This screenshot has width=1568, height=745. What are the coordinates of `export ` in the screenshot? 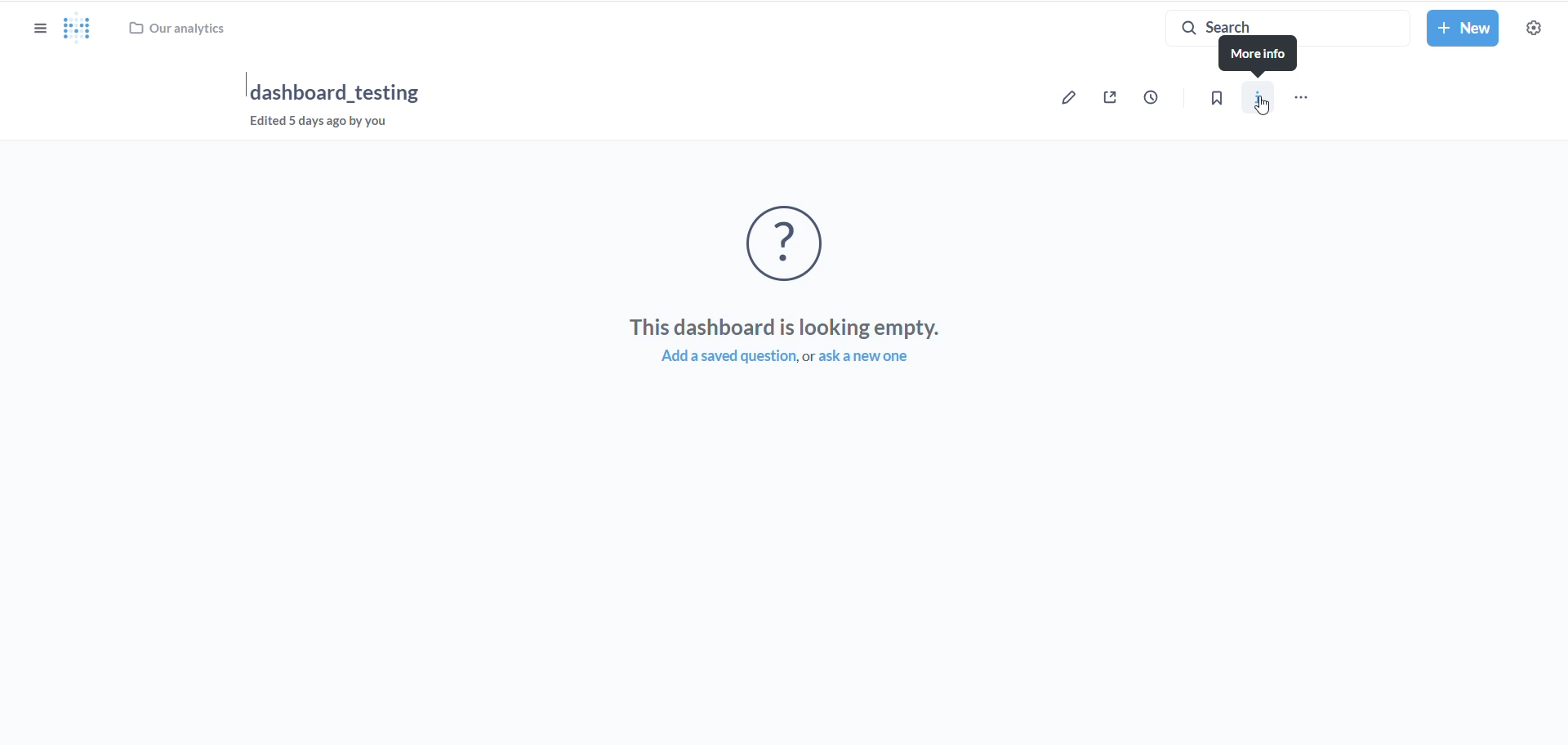 It's located at (1111, 99).